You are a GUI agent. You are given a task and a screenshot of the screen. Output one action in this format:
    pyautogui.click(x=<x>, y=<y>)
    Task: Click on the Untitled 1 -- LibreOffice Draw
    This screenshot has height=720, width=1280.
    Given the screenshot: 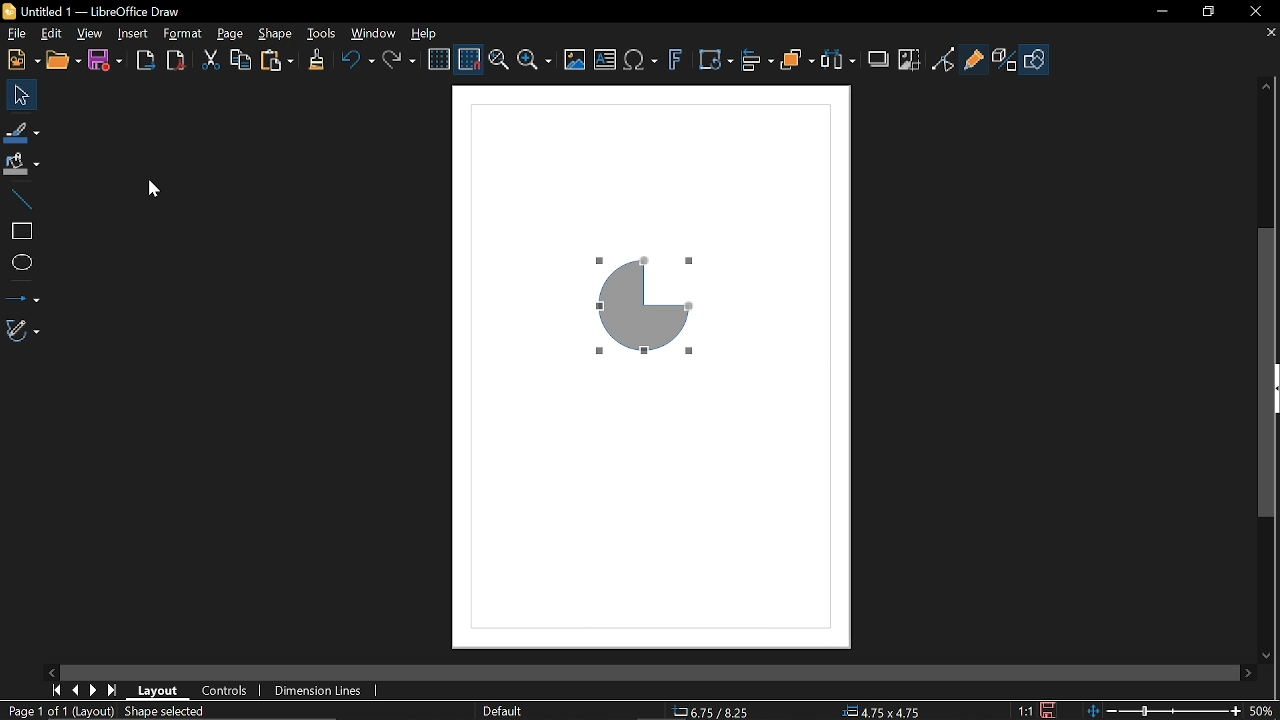 What is the action you would take?
    pyautogui.click(x=125, y=10)
    